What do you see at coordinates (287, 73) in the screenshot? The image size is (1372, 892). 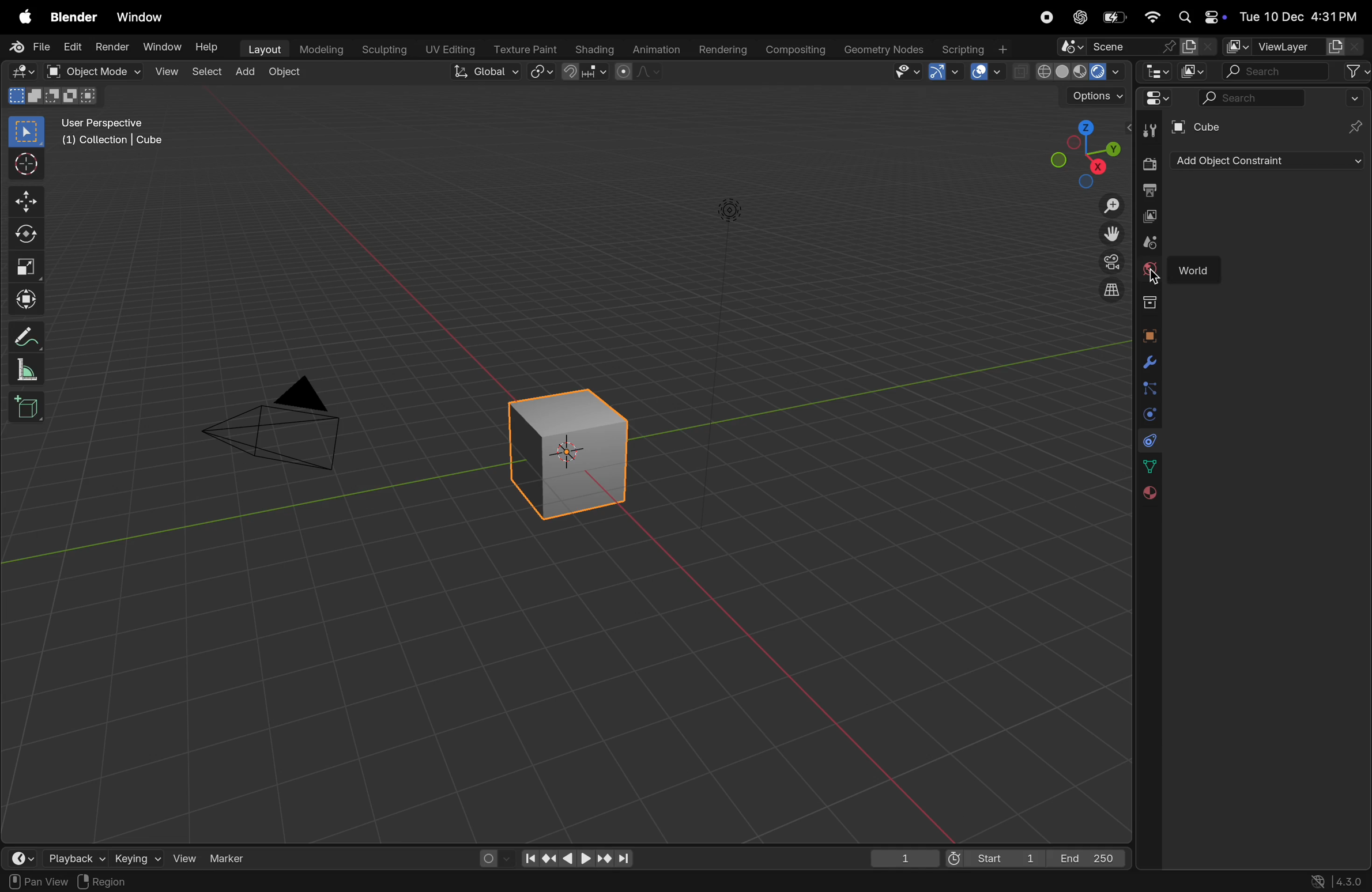 I see `Object` at bounding box center [287, 73].